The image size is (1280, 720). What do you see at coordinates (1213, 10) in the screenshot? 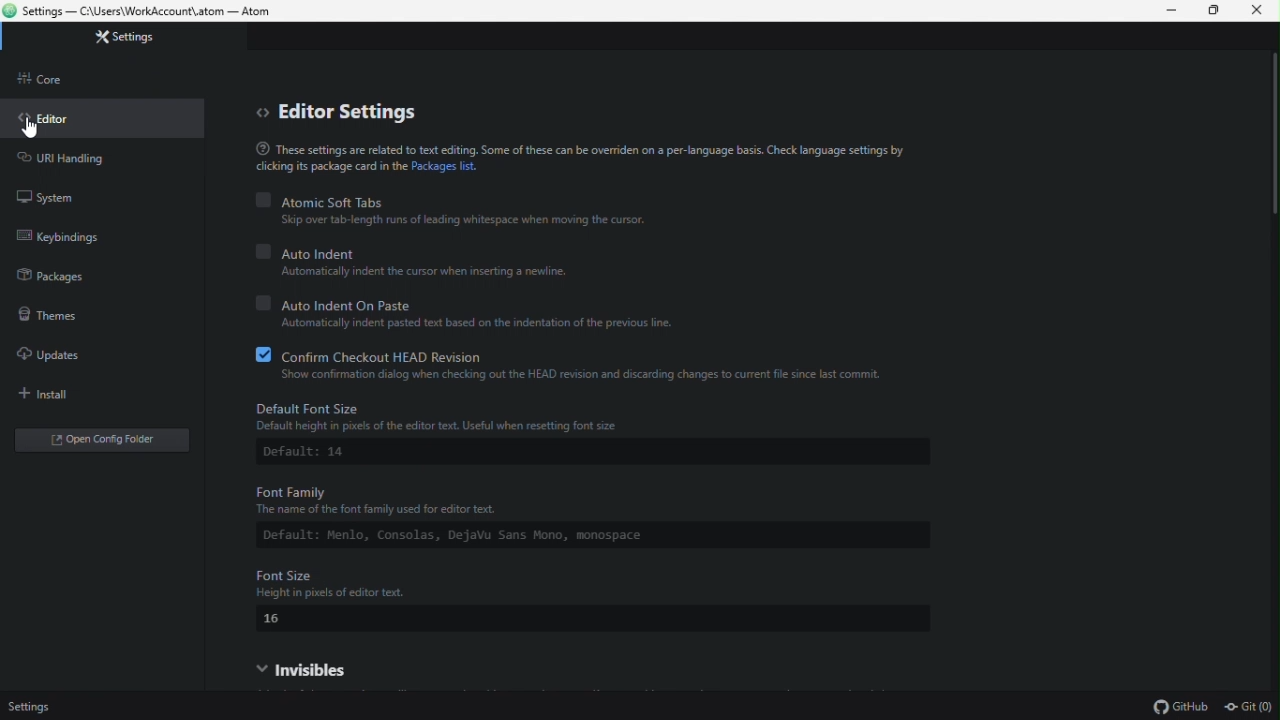
I see `Restore` at bounding box center [1213, 10].